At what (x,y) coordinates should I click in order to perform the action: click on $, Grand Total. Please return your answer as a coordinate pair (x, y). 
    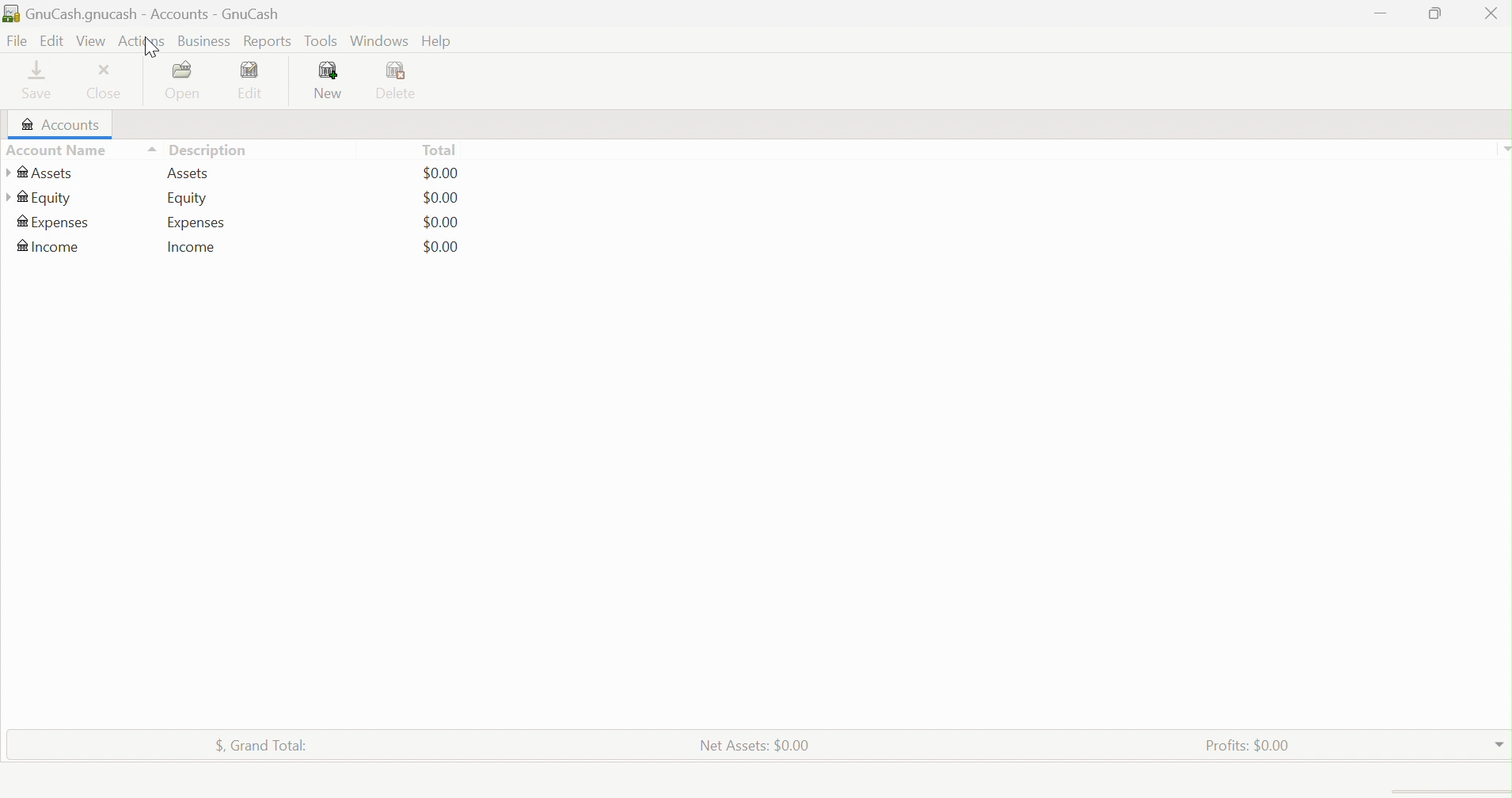
    Looking at the image, I should click on (262, 743).